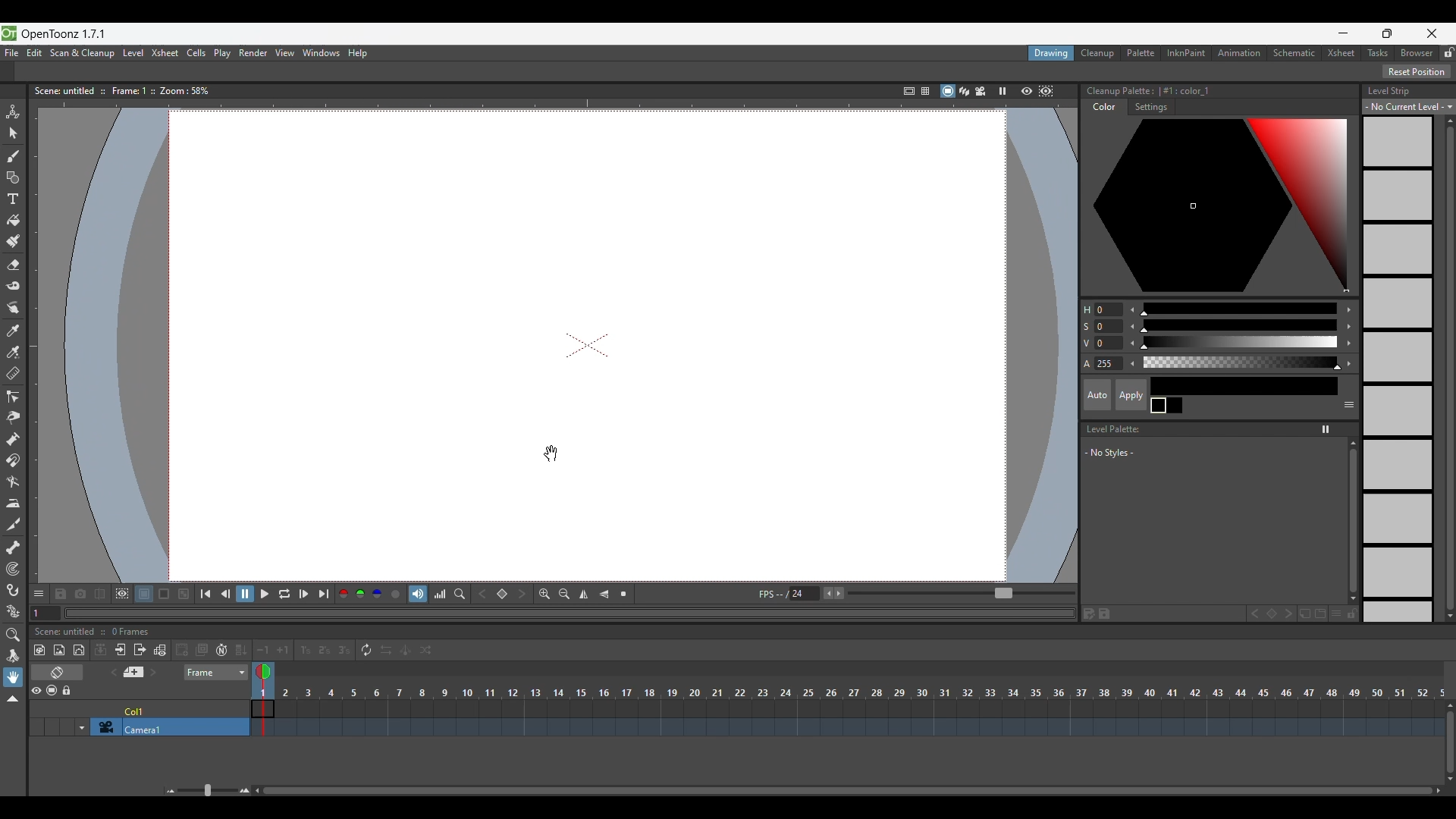 The width and height of the screenshot is (1456, 819). What do you see at coordinates (13, 286) in the screenshot?
I see `Tape tool` at bounding box center [13, 286].